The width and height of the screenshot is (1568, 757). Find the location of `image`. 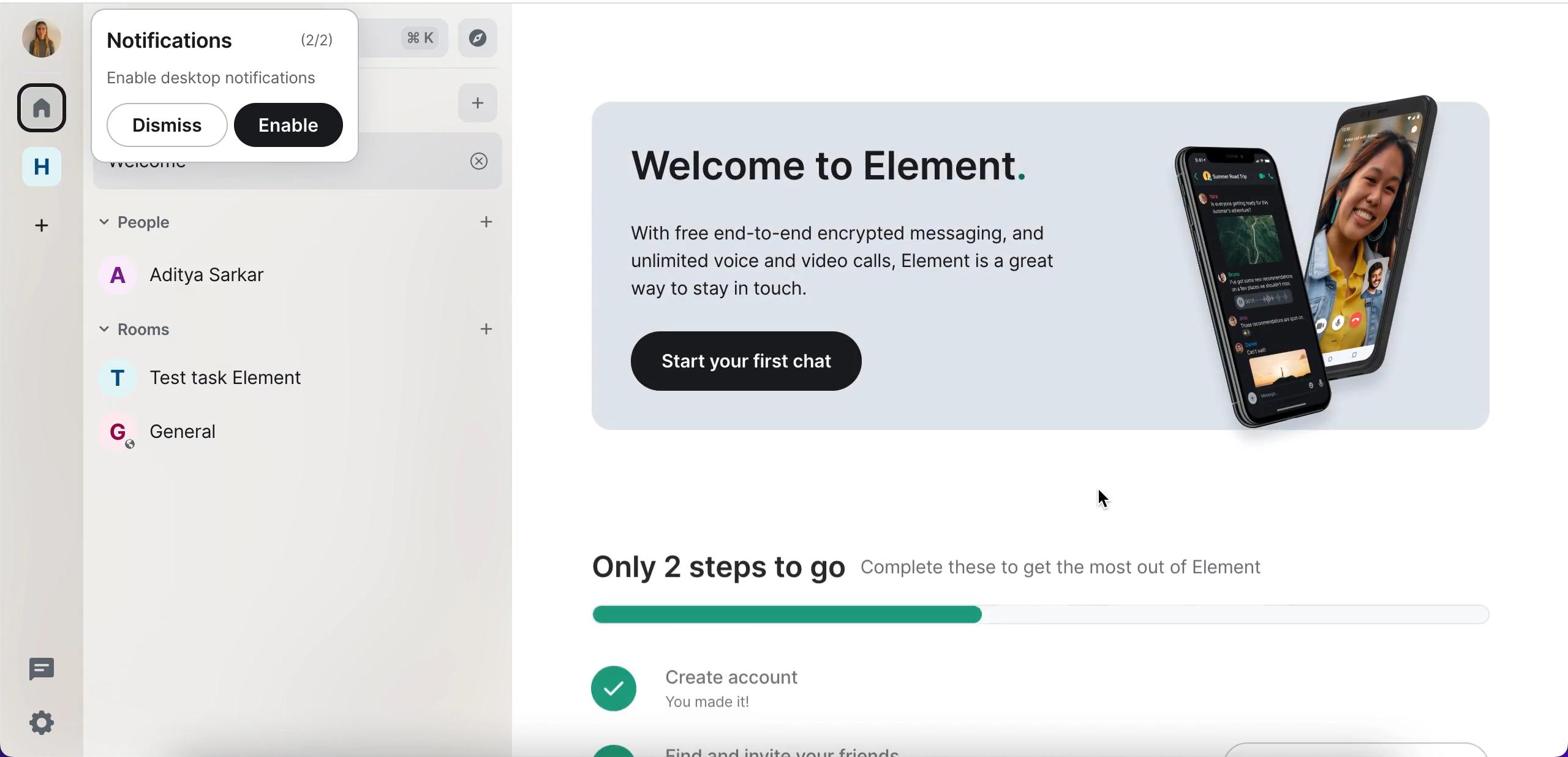

image is located at coordinates (1295, 250).